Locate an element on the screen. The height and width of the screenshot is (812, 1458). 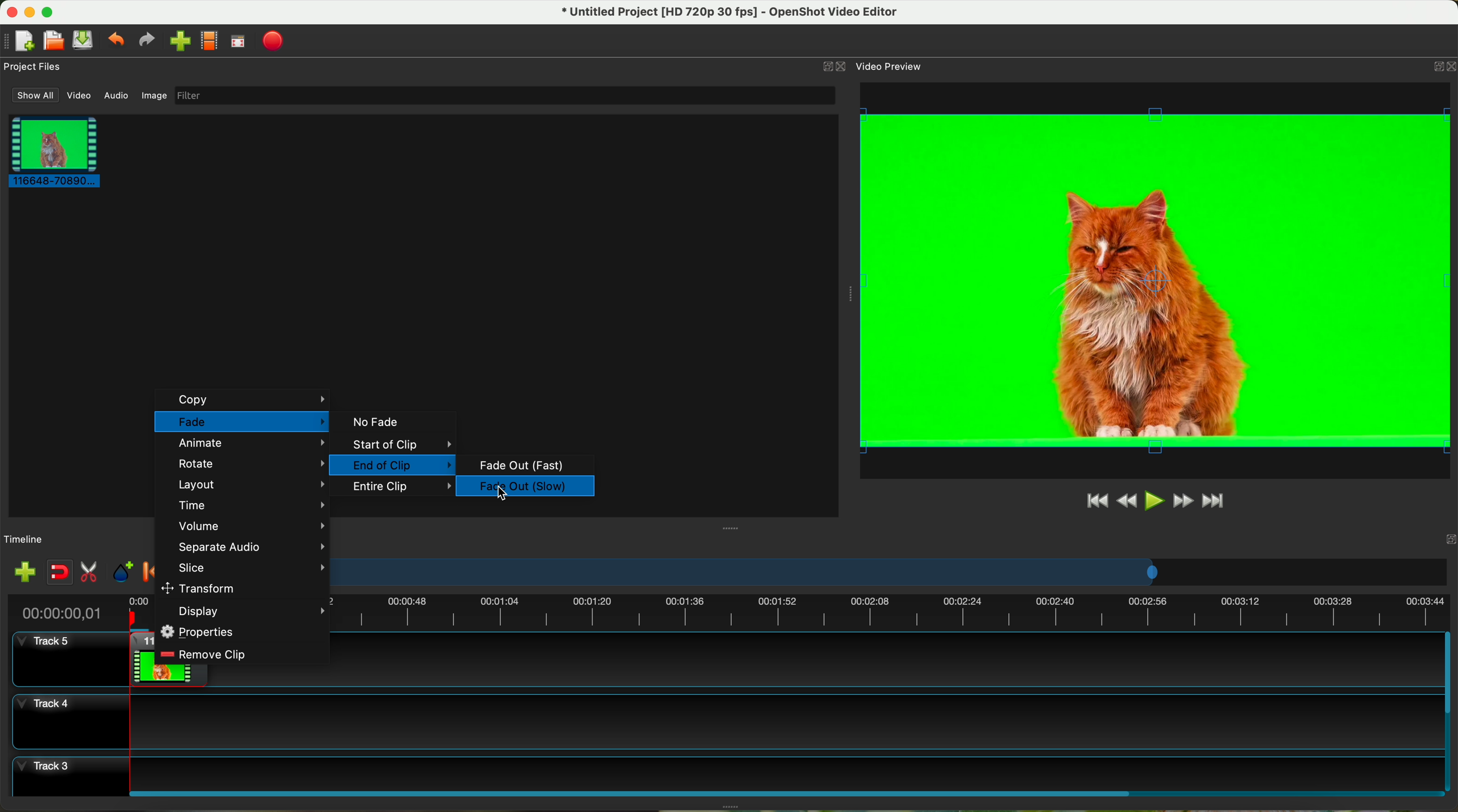
separate audio is located at coordinates (250, 547).